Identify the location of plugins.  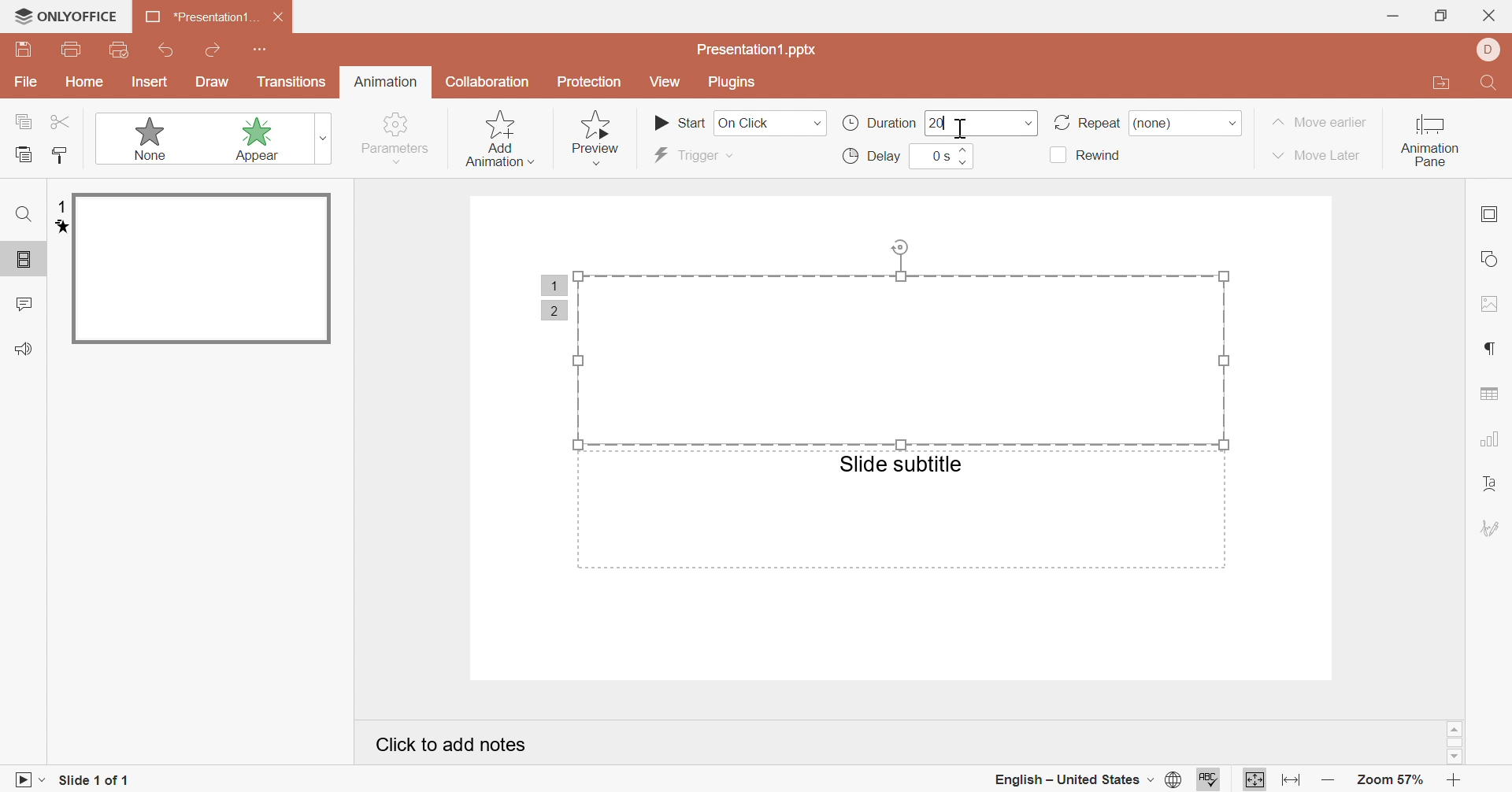
(732, 83).